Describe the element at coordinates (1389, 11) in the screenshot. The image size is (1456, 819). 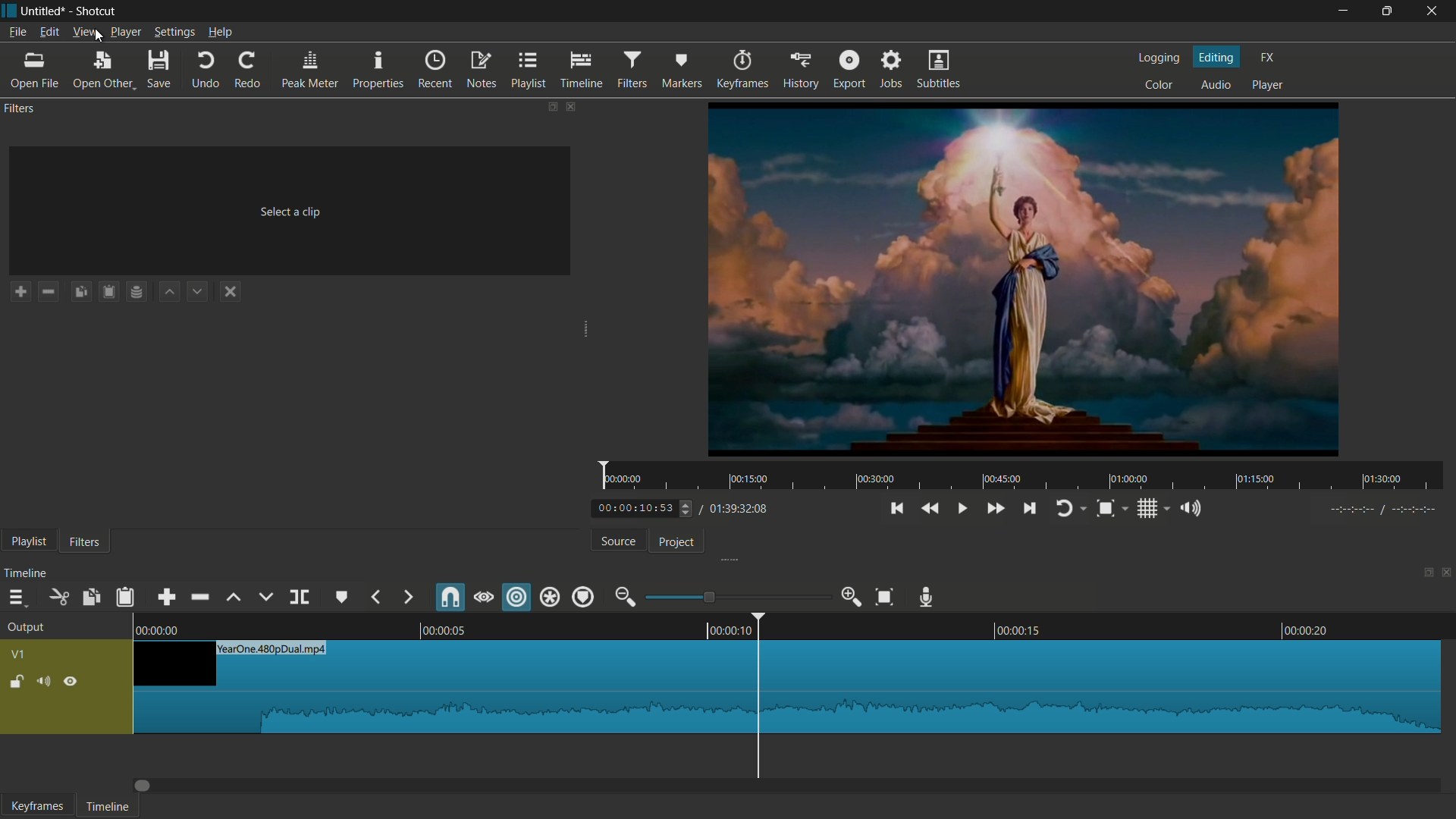
I see `maximize` at that location.